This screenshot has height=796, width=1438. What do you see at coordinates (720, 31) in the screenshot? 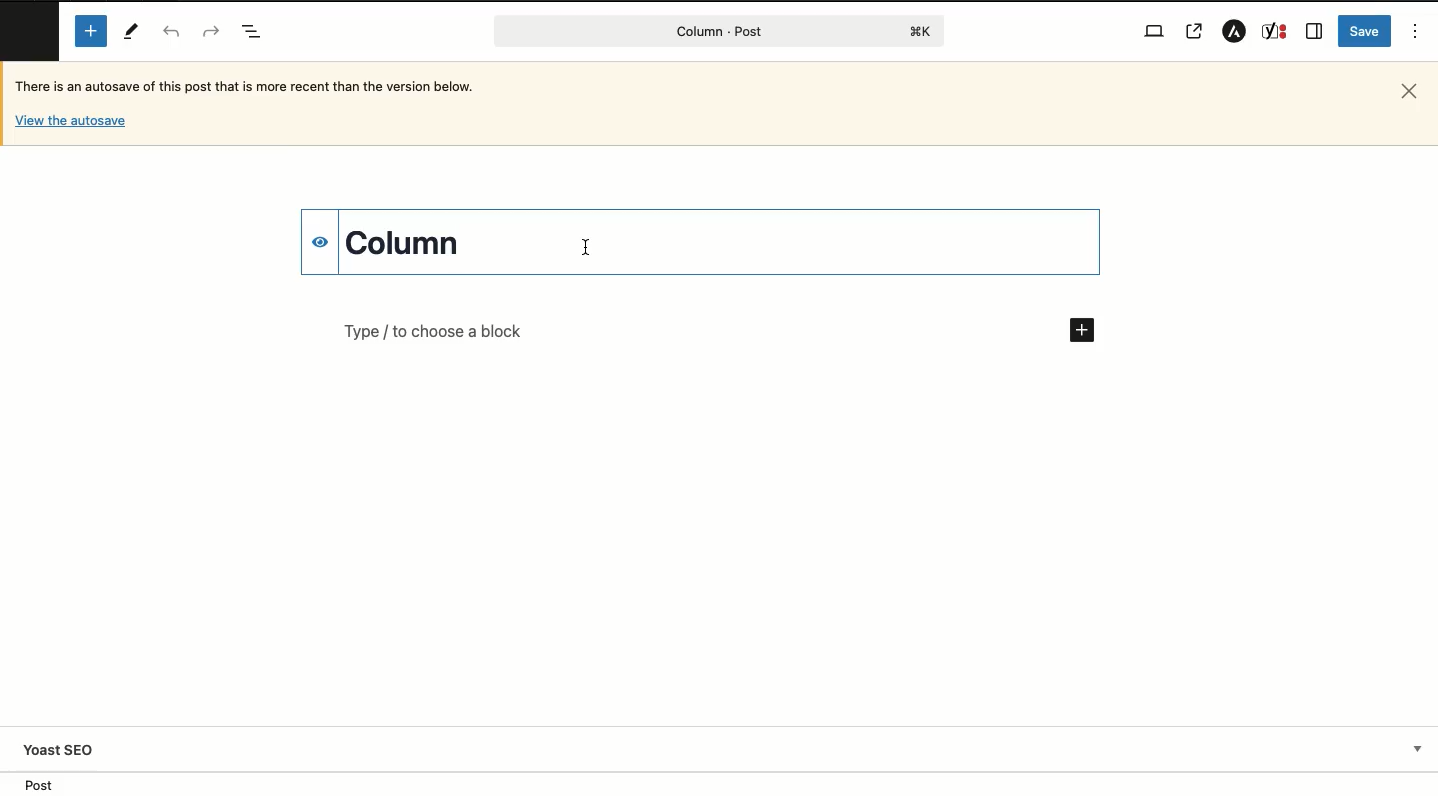
I see `Post` at bounding box center [720, 31].